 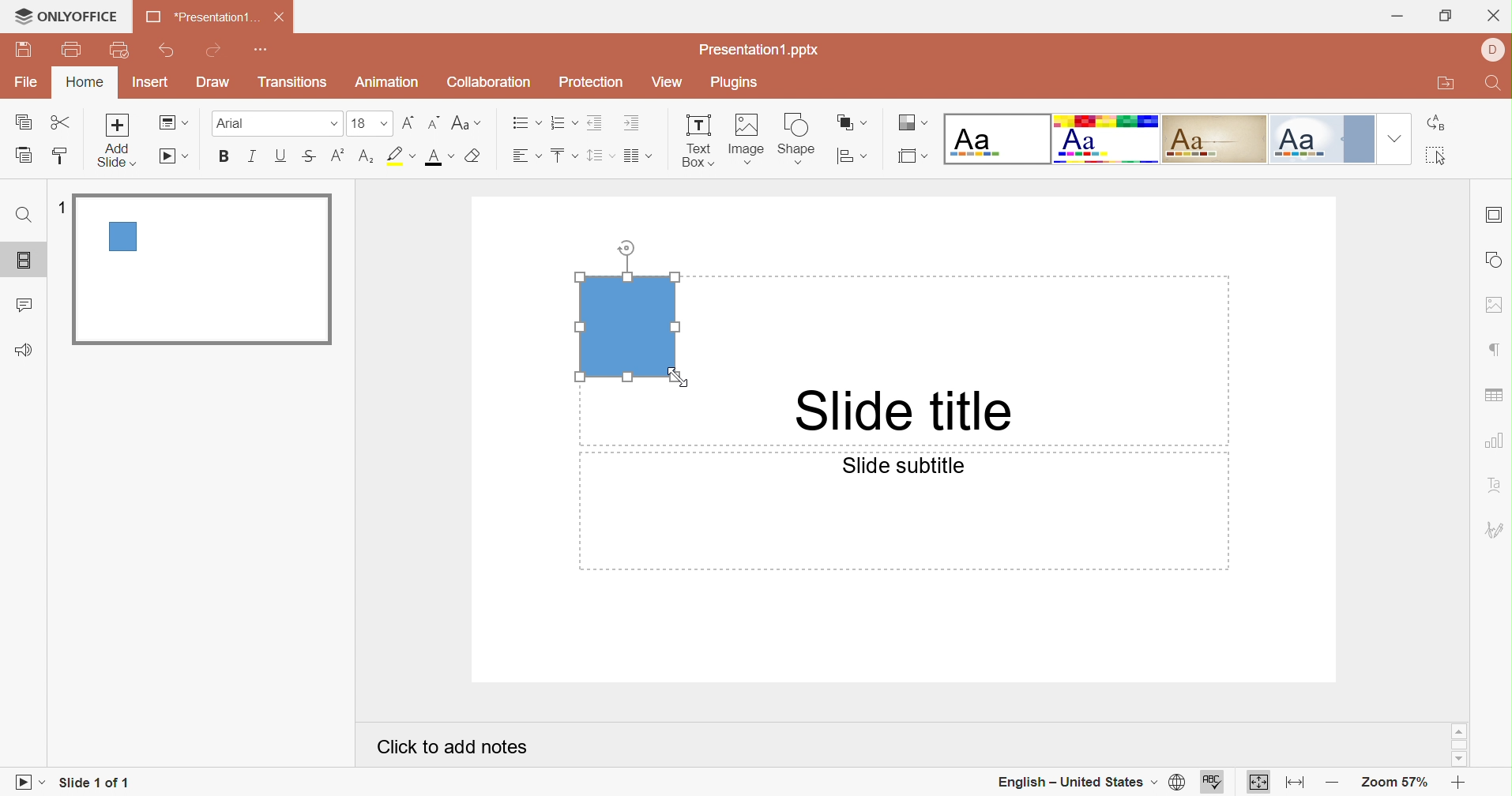 What do you see at coordinates (852, 160) in the screenshot?
I see `Align shape` at bounding box center [852, 160].